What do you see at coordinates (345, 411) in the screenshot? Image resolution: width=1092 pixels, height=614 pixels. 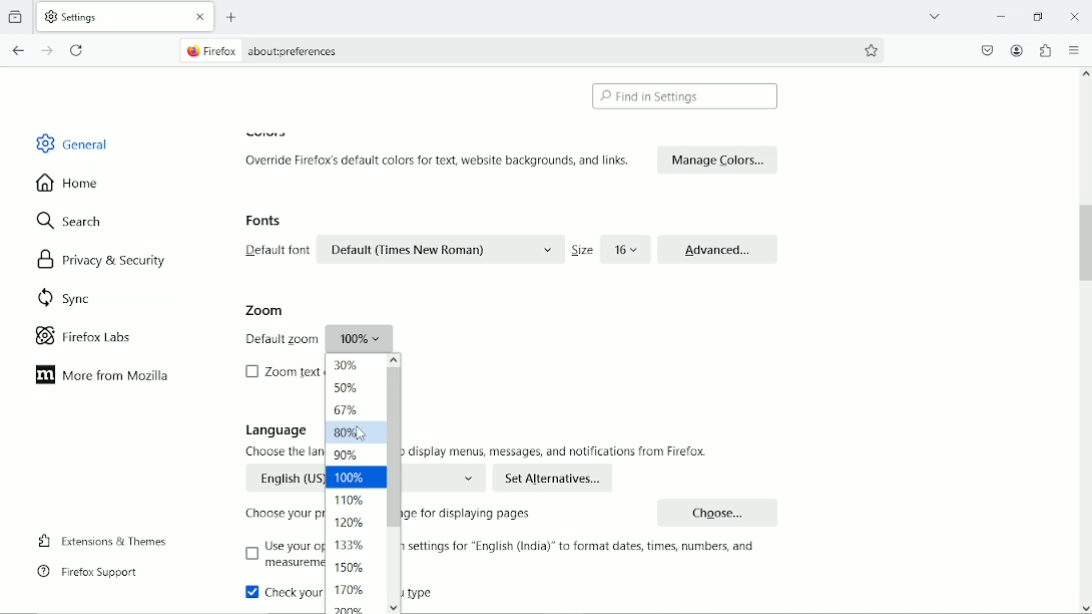 I see `67%` at bounding box center [345, 411].